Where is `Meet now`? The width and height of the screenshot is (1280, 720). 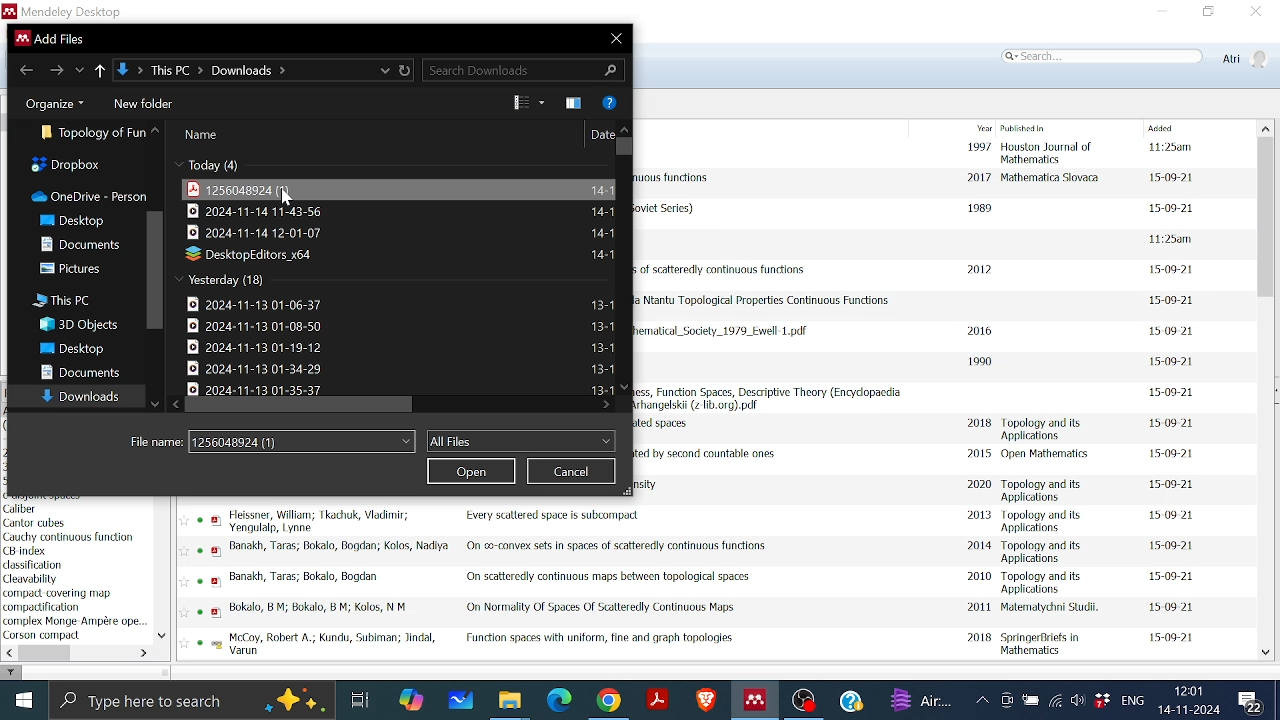
Meet now is located at coordinates (1008, 699).